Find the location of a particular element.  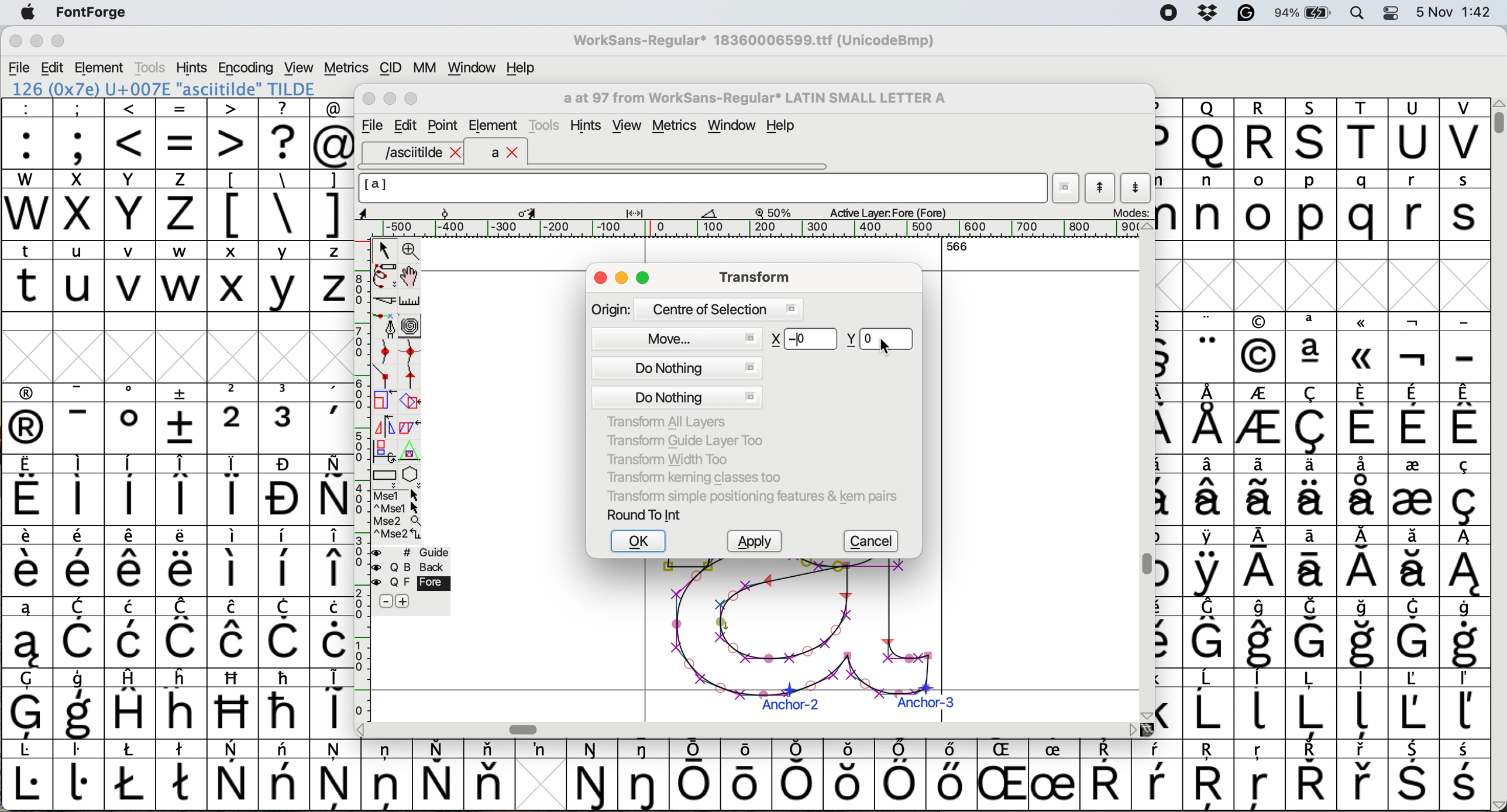

current word list is located at coordinates (1066, 190).